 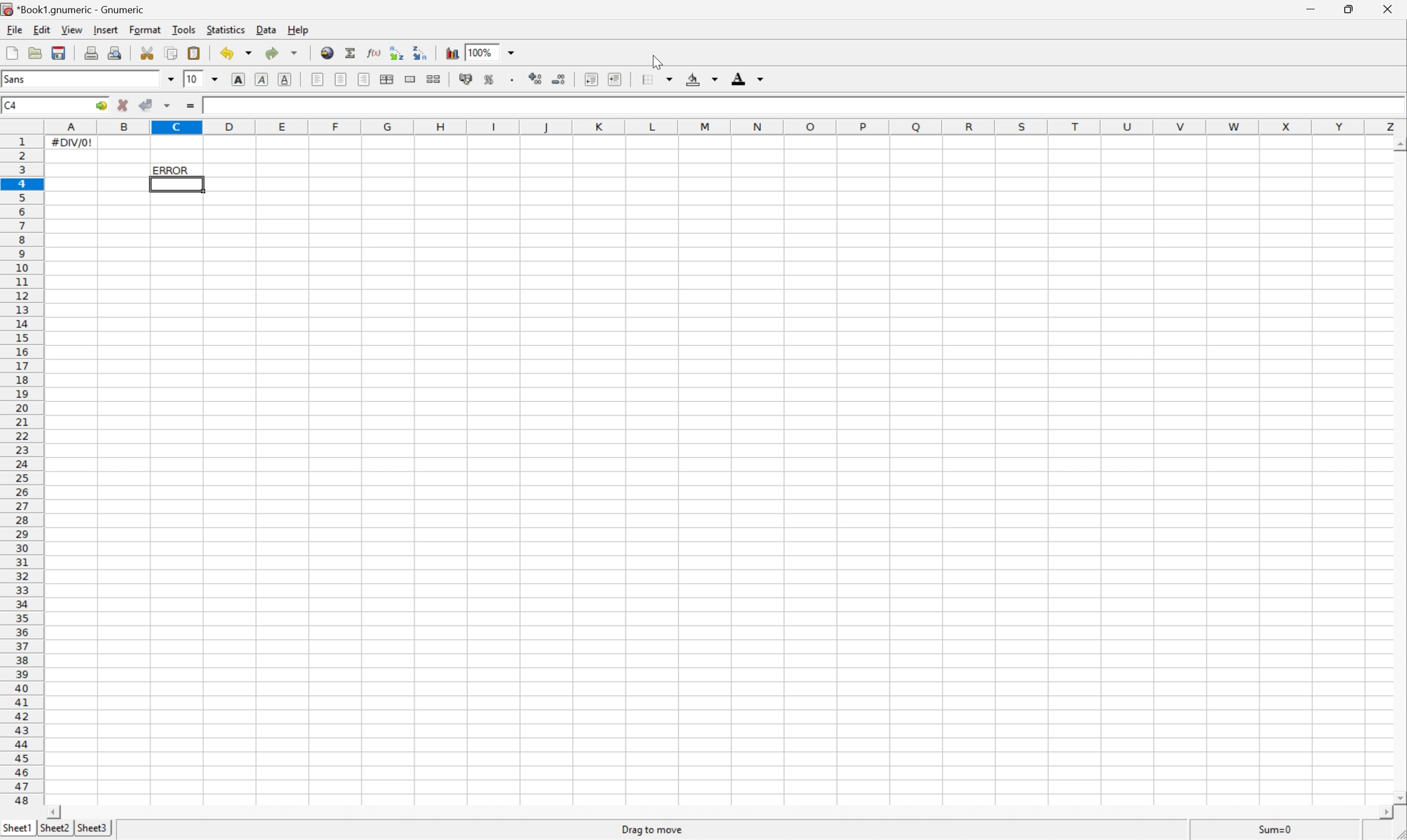 What do you see at coordinates (617, 80) in the screenshot?
I see `Increase the indent, and align the contents to left` at bounding box center [617, 80].